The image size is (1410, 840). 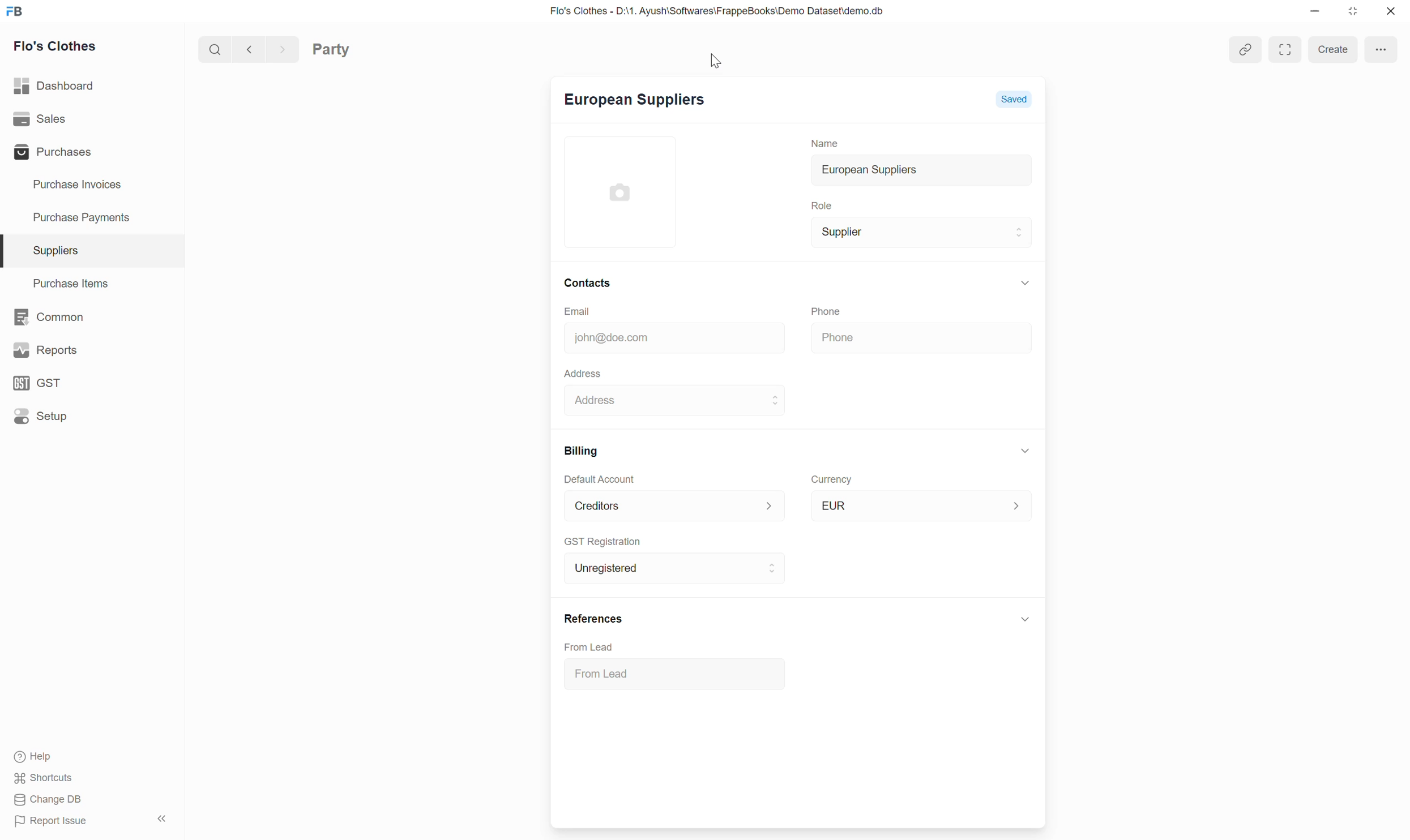 I want to click on GST Registration, so click(x=609, y=541).